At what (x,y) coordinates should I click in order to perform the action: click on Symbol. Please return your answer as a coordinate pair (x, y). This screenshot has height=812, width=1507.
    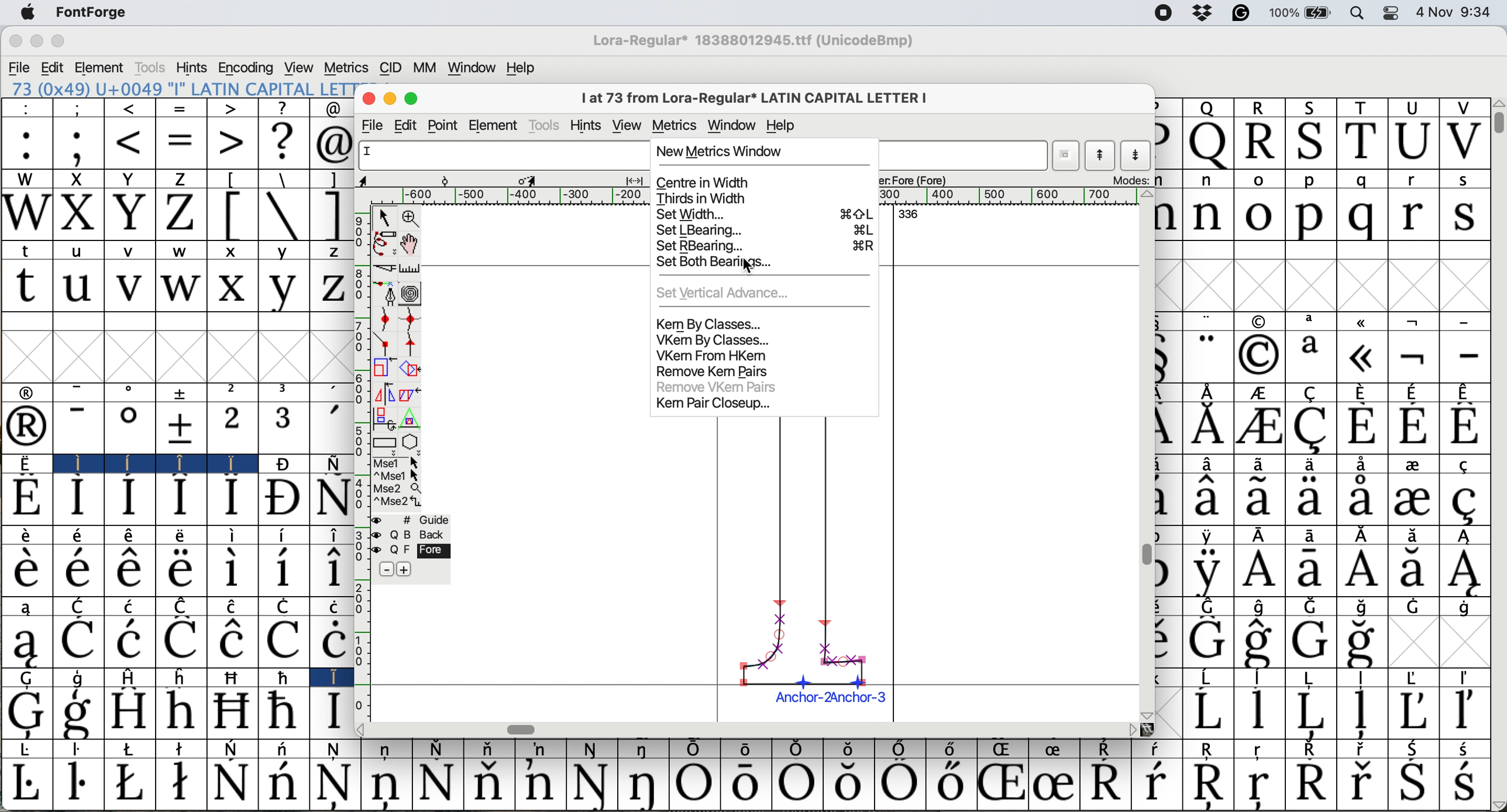
    Looking at the image, I should click on (1108, 749).